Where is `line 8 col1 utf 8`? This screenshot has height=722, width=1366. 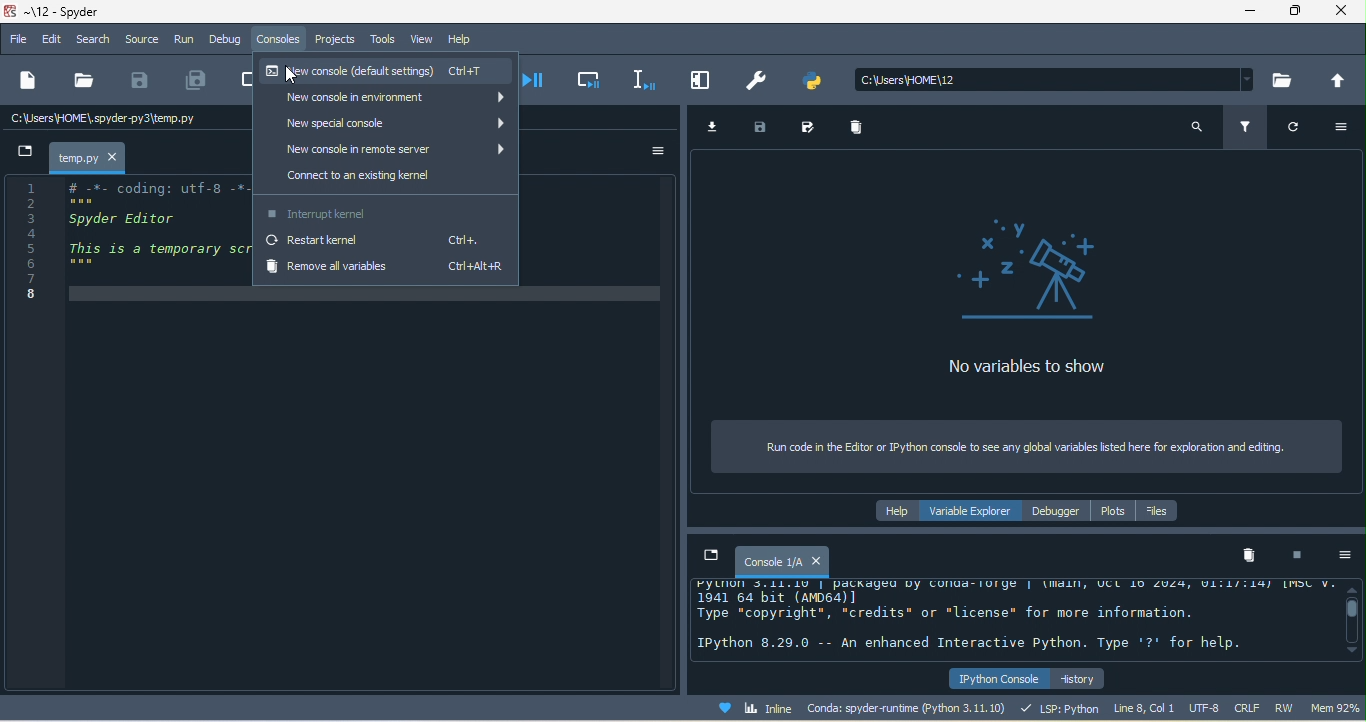
line 8 col1 utf 8 is located at coordinates (1167, 707).